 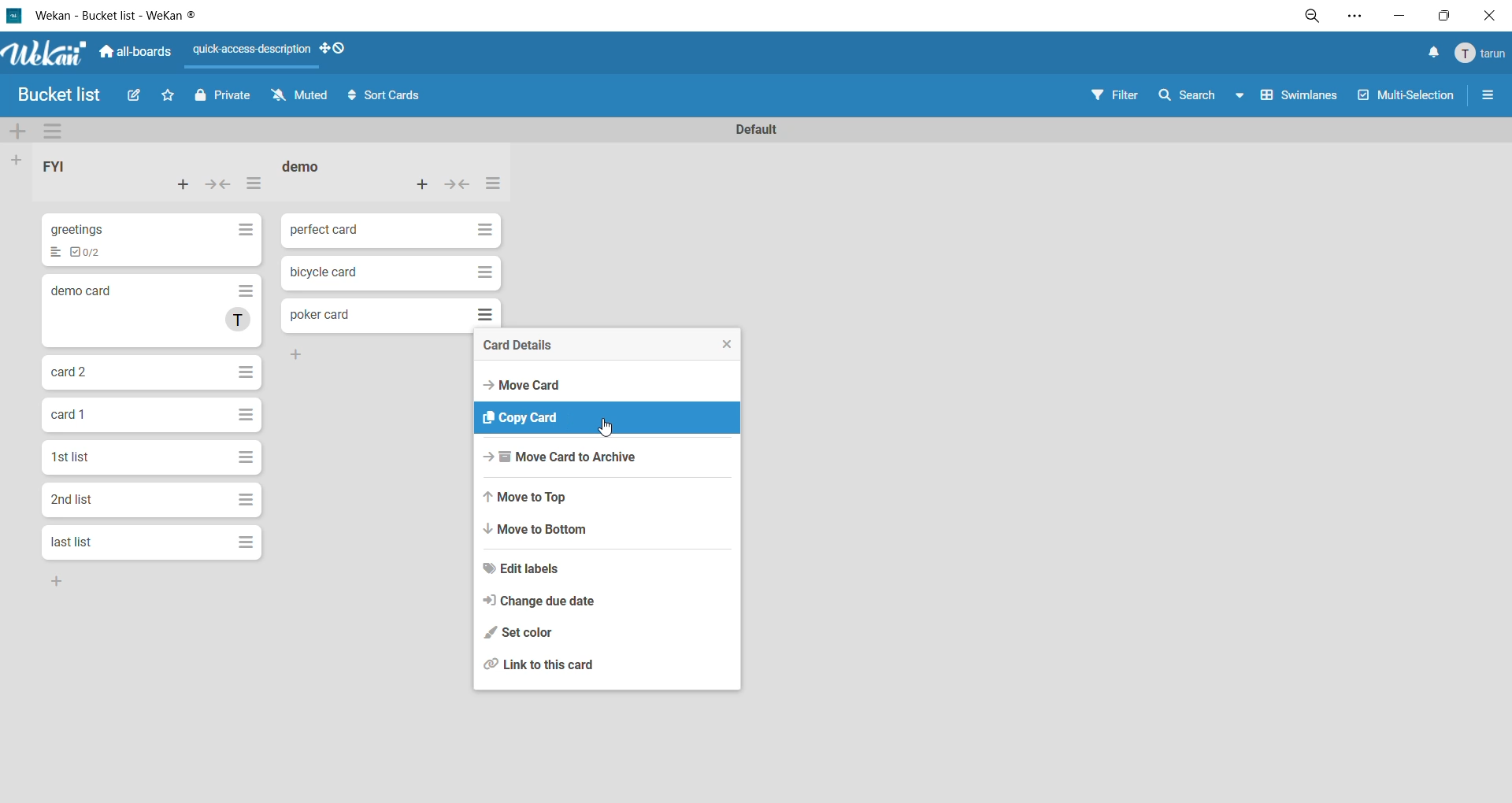 What do you see at coordinates (1354, 17) in the screenshot?
I see `settings` at bounding box center [1354, 17].